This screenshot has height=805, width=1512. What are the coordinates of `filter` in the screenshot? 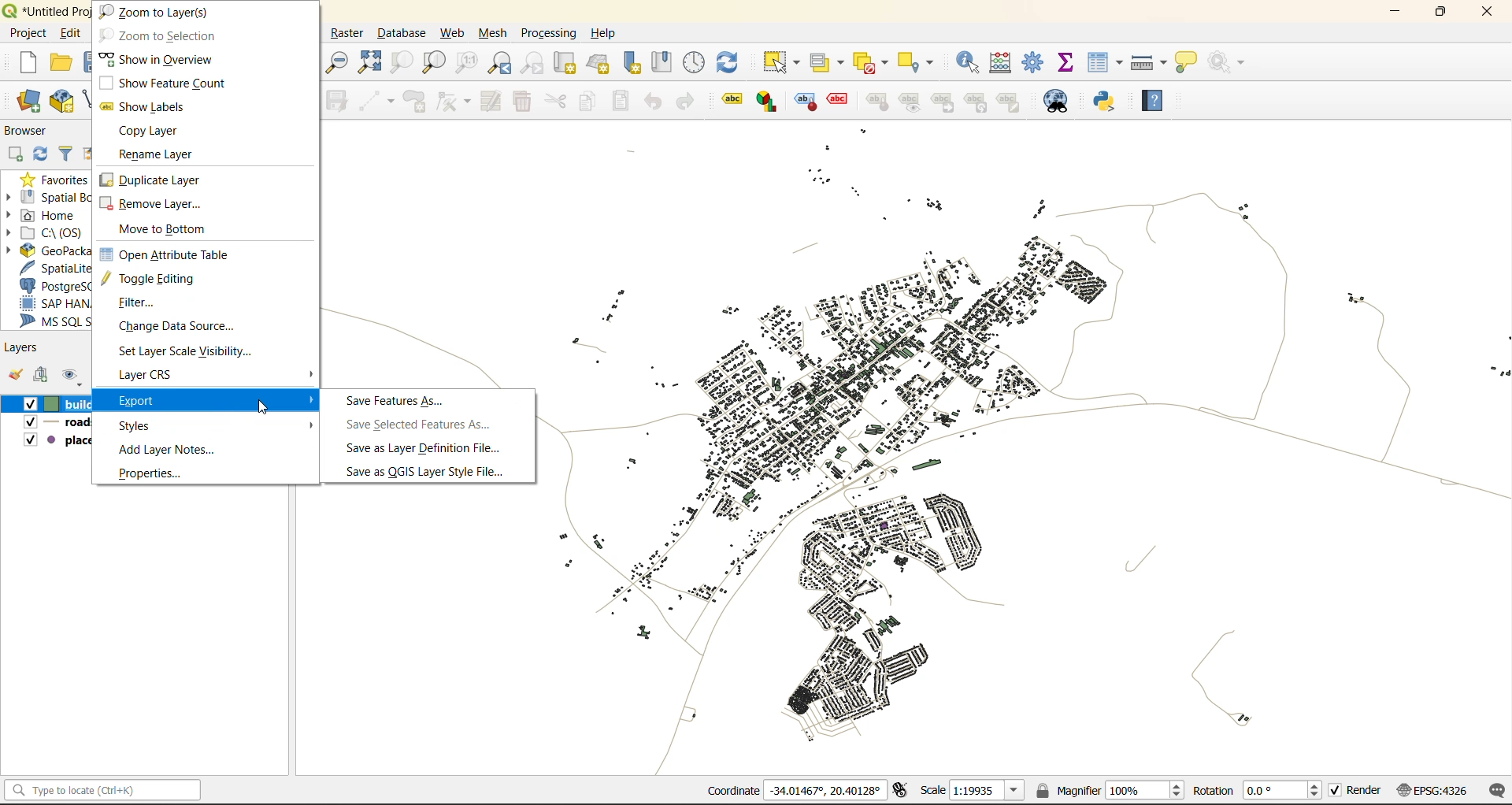 It's located at (67, 153).